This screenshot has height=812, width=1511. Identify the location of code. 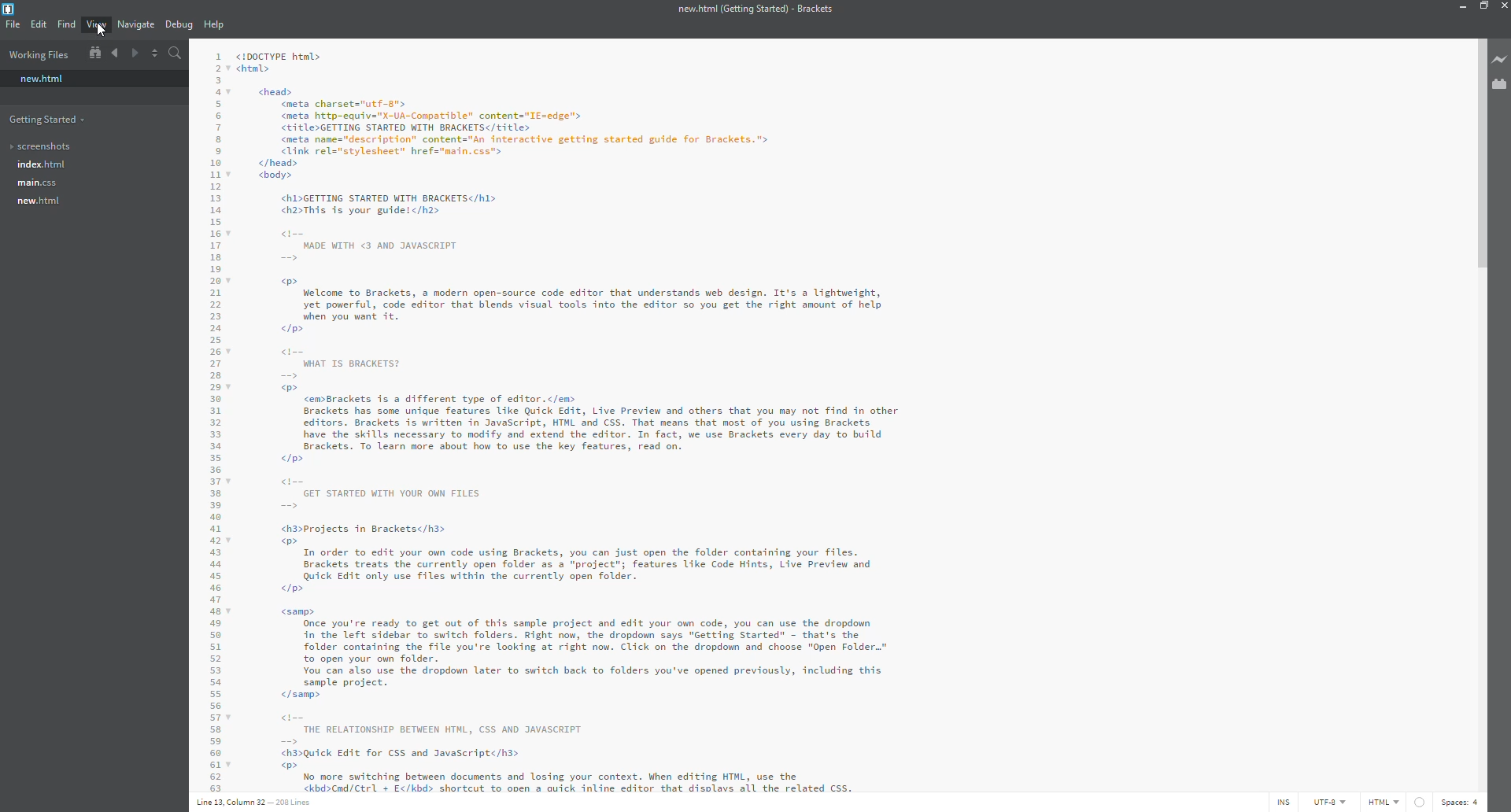
(726, 416).